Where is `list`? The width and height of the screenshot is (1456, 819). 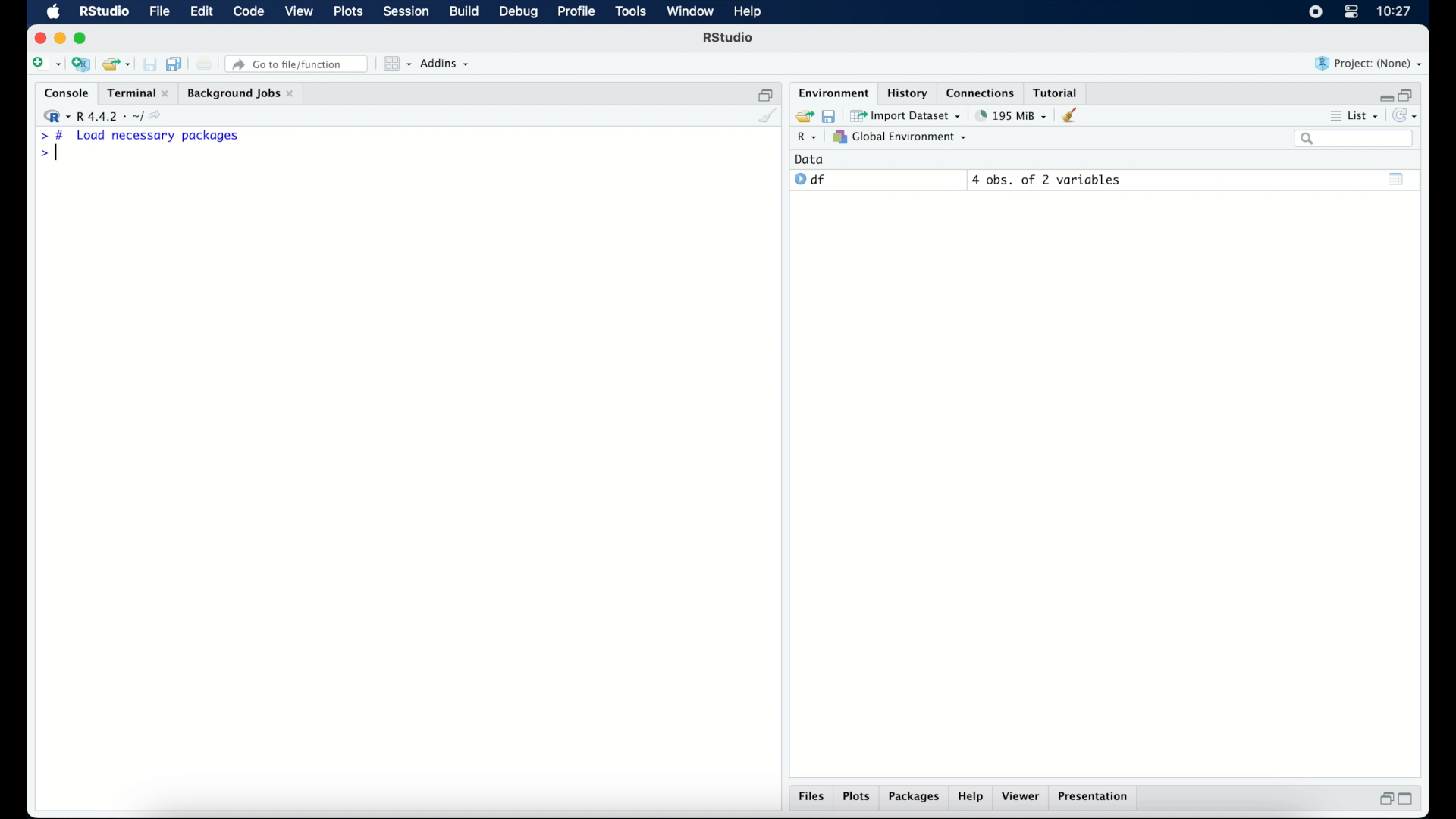 list is located at coordinates (1353, 118).